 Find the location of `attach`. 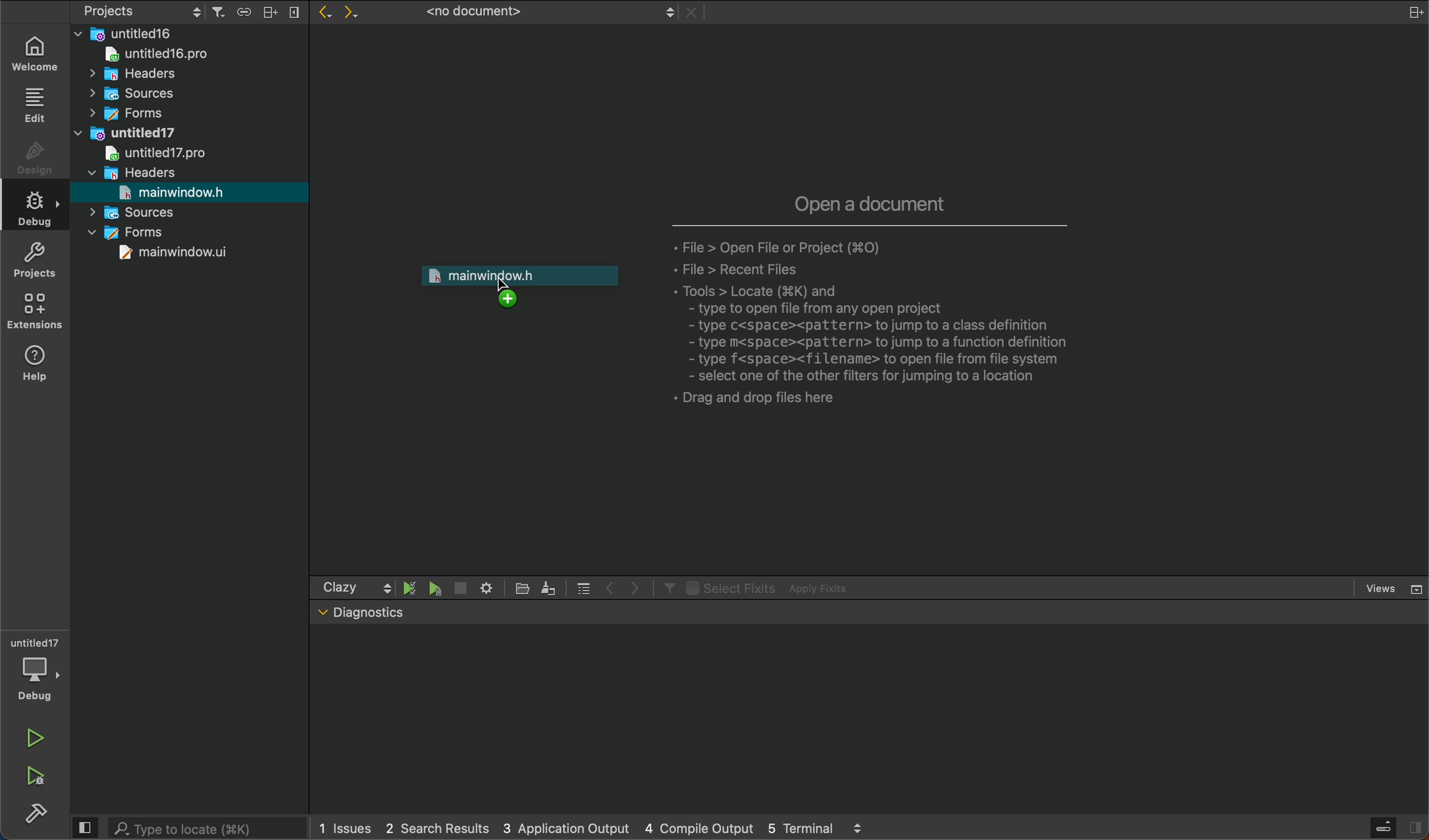

attach is located at coordinates (241, 11).